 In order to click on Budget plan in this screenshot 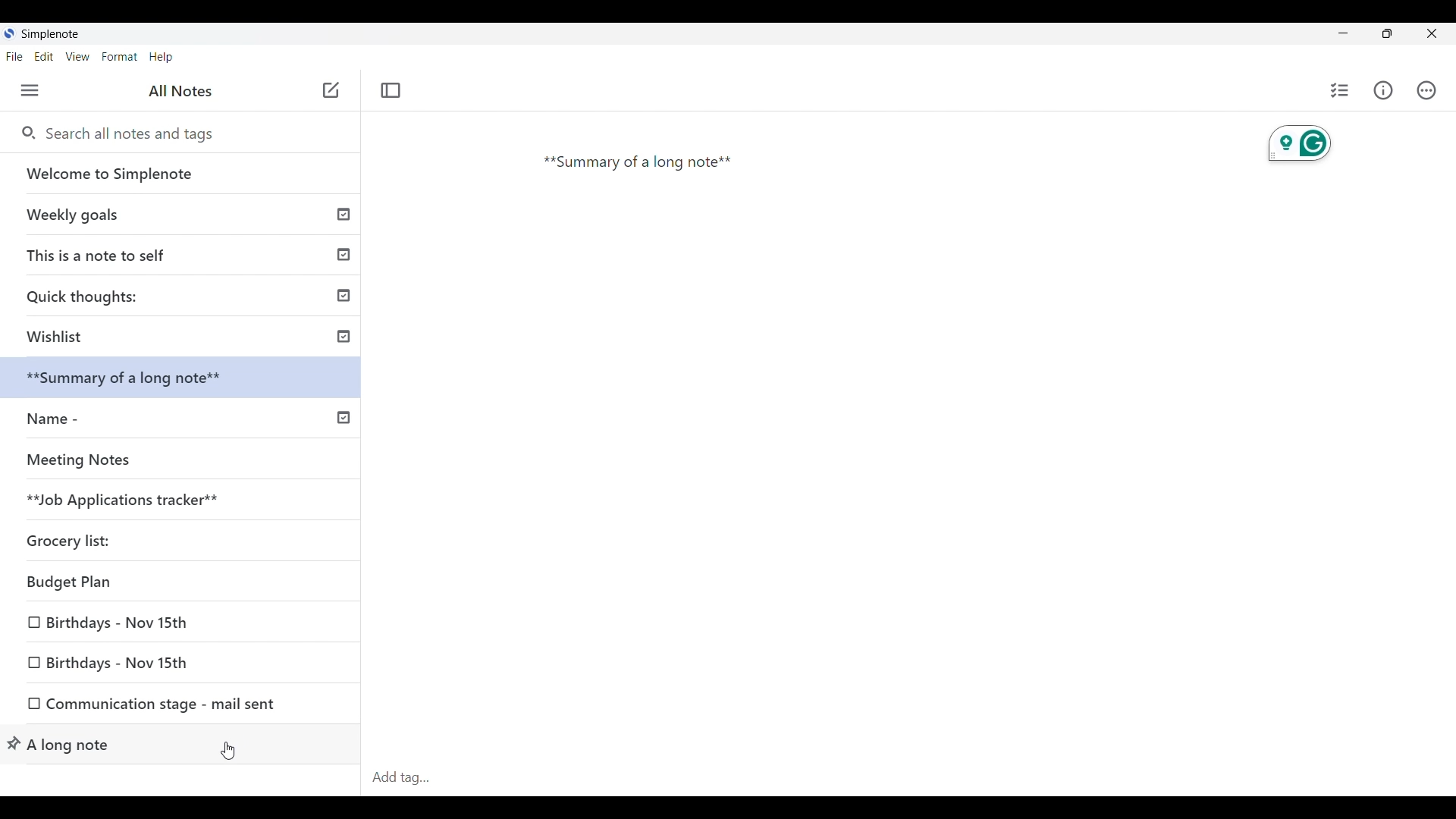, I will do `click(128, 585)`.